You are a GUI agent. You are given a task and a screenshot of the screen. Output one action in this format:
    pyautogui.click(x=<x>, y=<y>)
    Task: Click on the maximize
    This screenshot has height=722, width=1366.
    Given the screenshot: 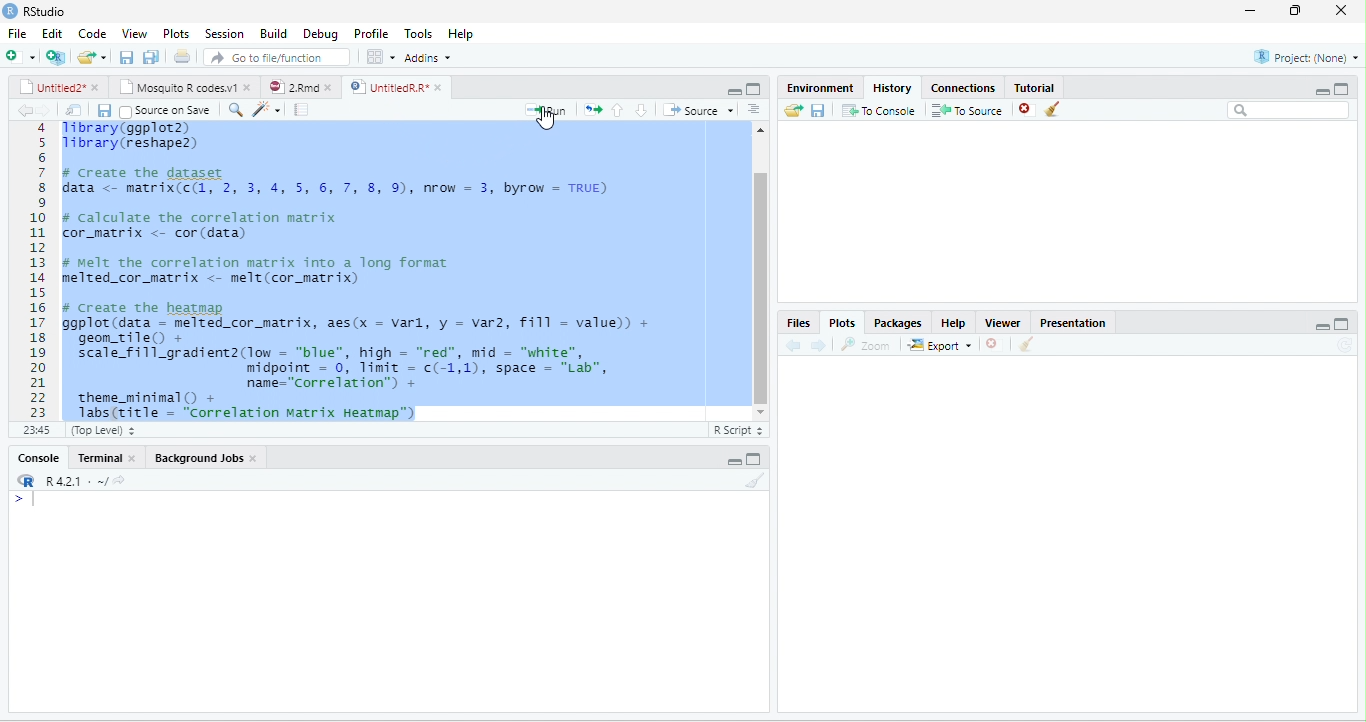 What is the action you would take?
    pyautogui.click(x=1299, y=11)
    